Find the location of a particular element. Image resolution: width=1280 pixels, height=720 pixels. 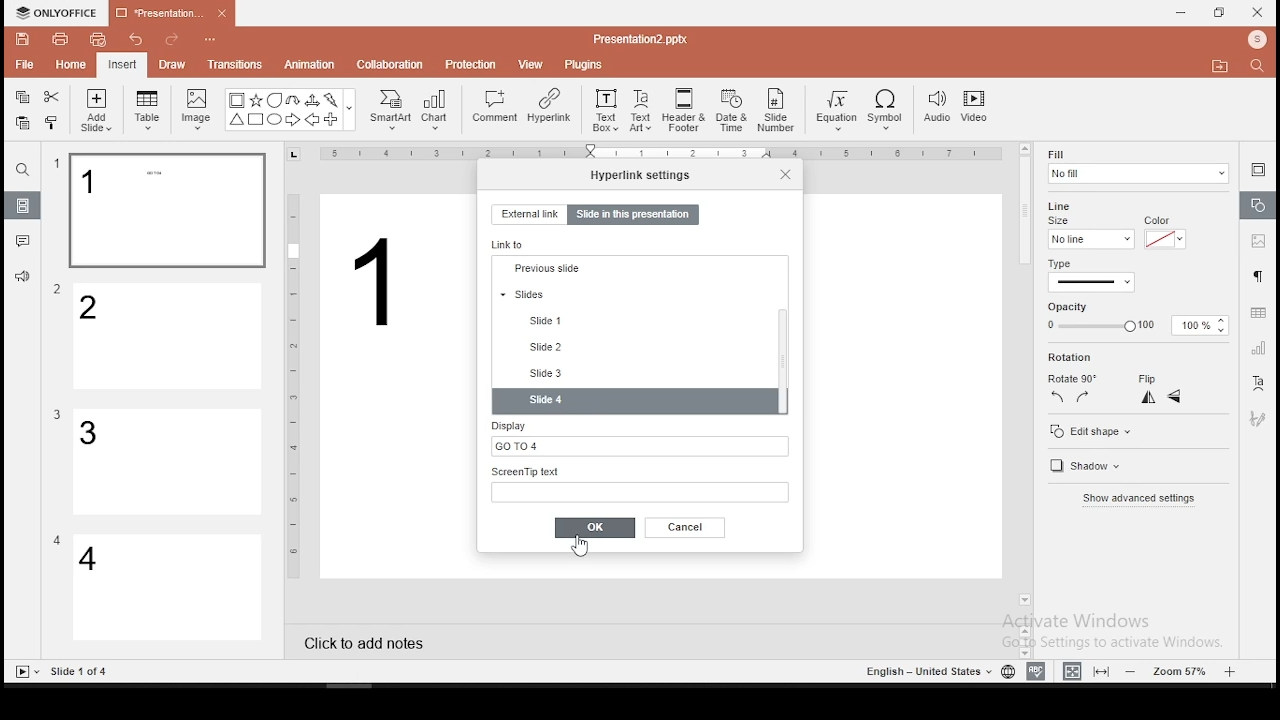

line color is located at coordinates (1163, 238).